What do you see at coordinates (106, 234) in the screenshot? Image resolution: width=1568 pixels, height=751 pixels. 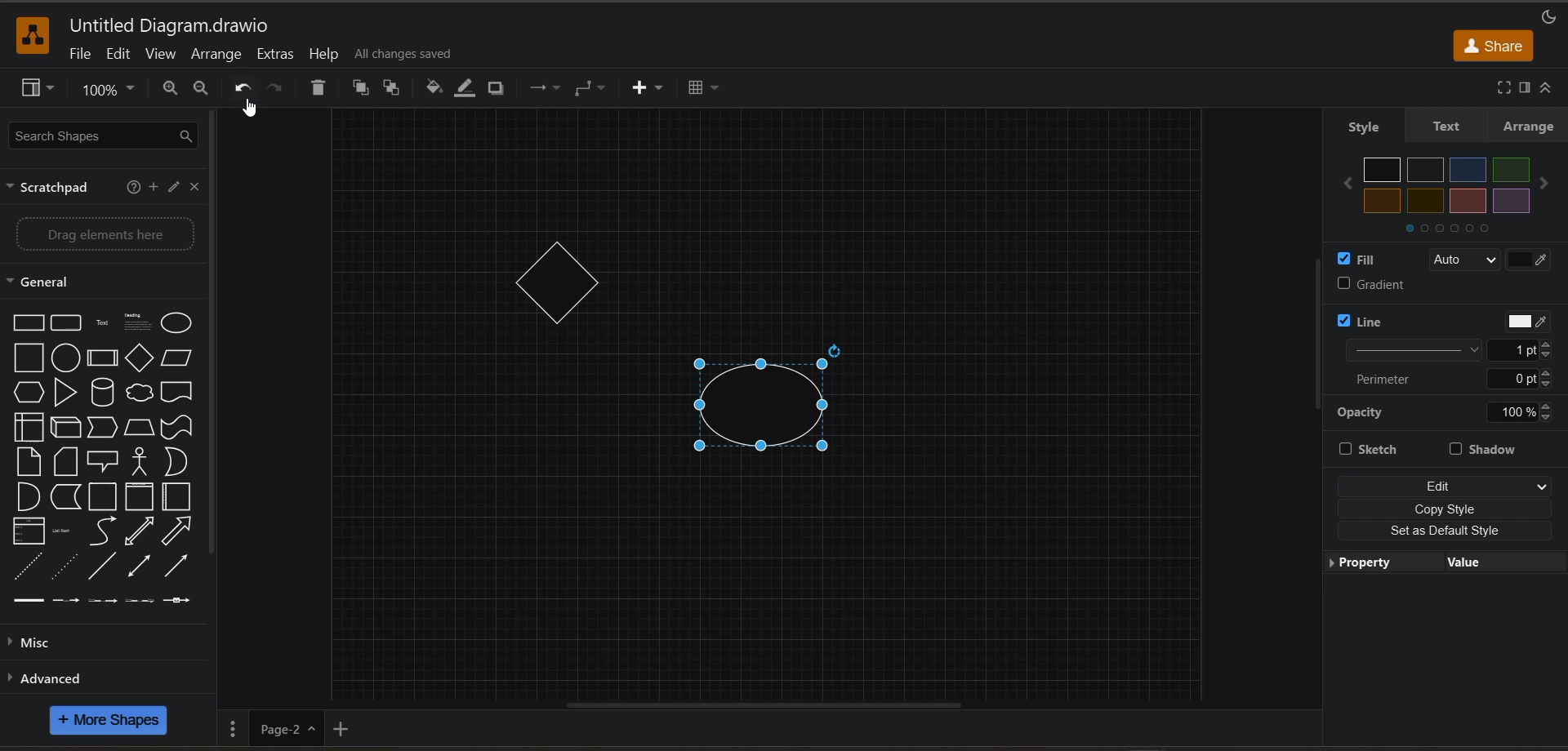 I see `Drag elements here` at bounding box center [106, 234].